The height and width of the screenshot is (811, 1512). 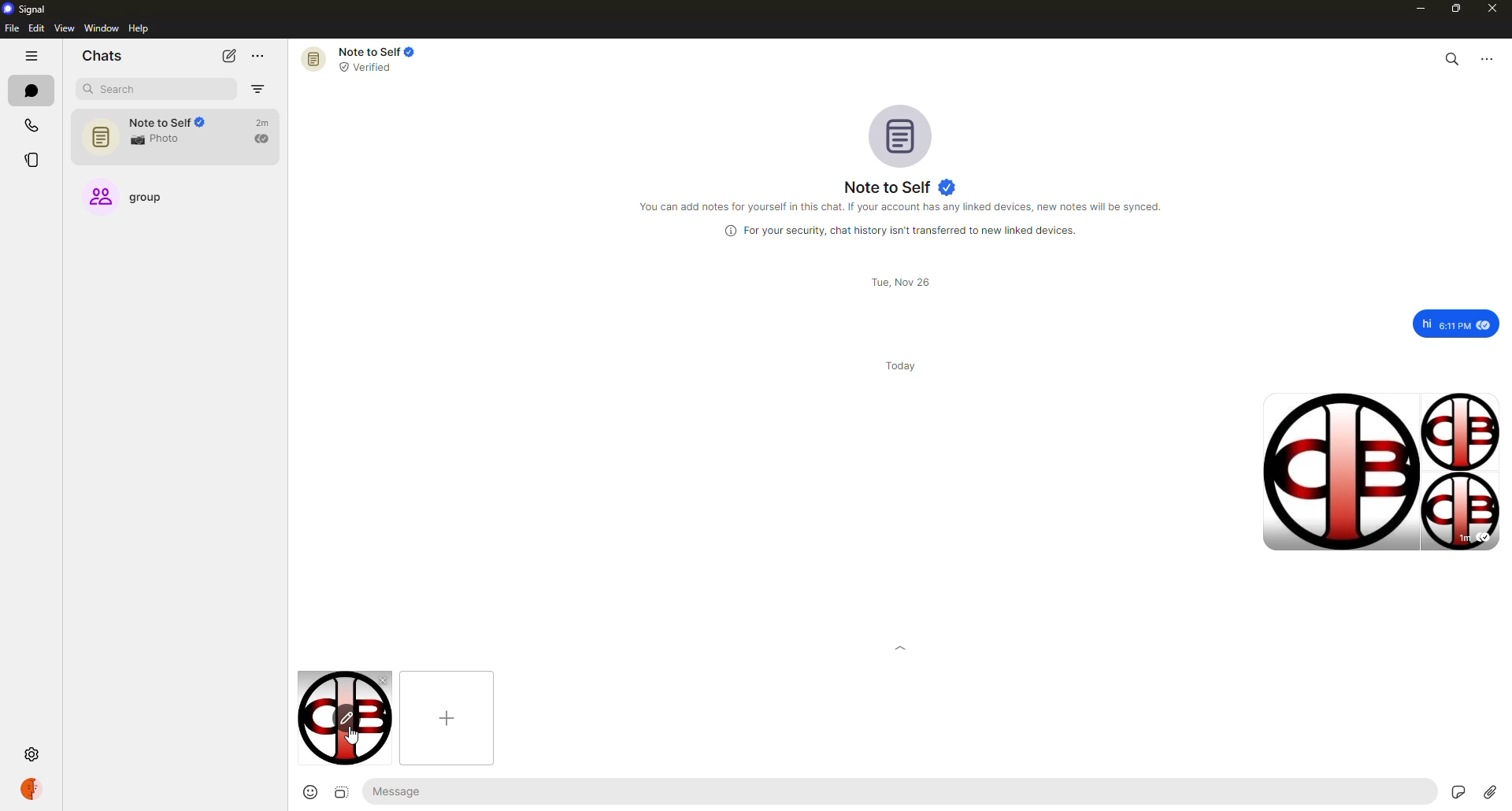 I want to click on search, so click(x=123, y=91).